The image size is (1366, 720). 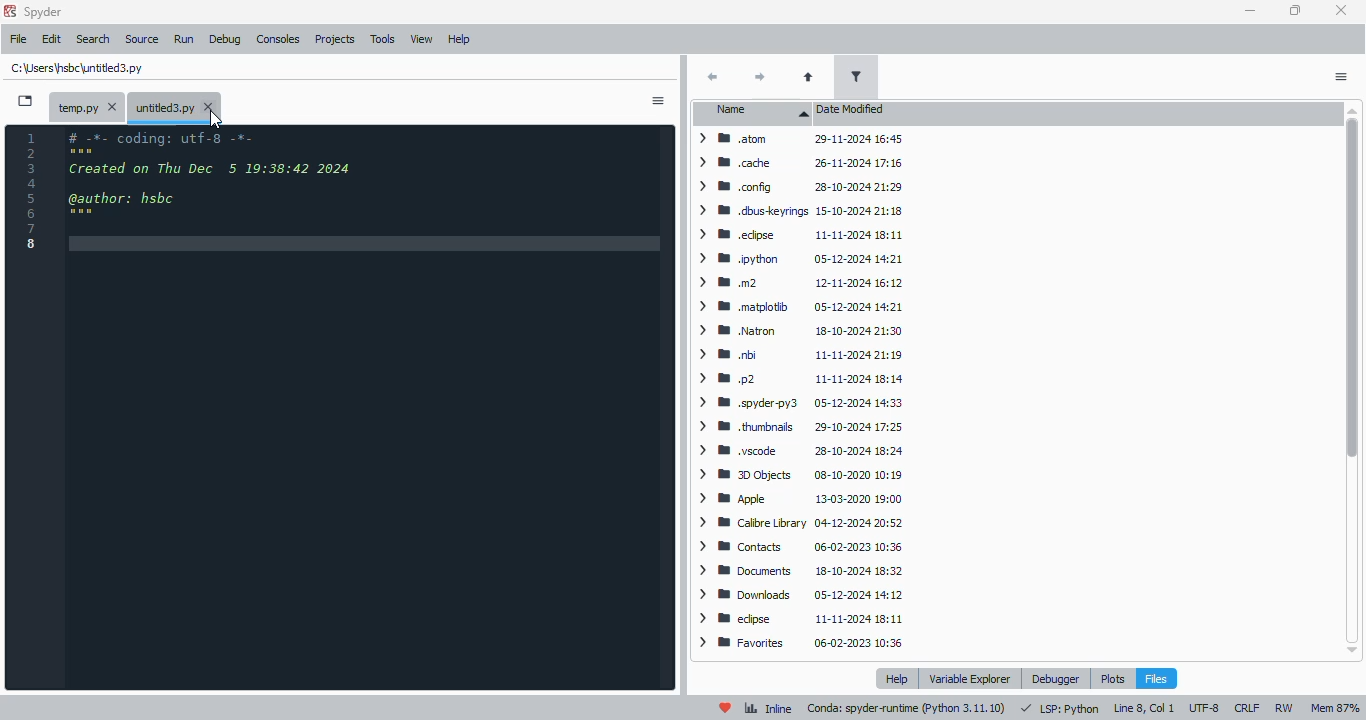 What do you see at coordinates (336, 40) in the screenshot?
I see `projects` at bounding box center [336, 40].